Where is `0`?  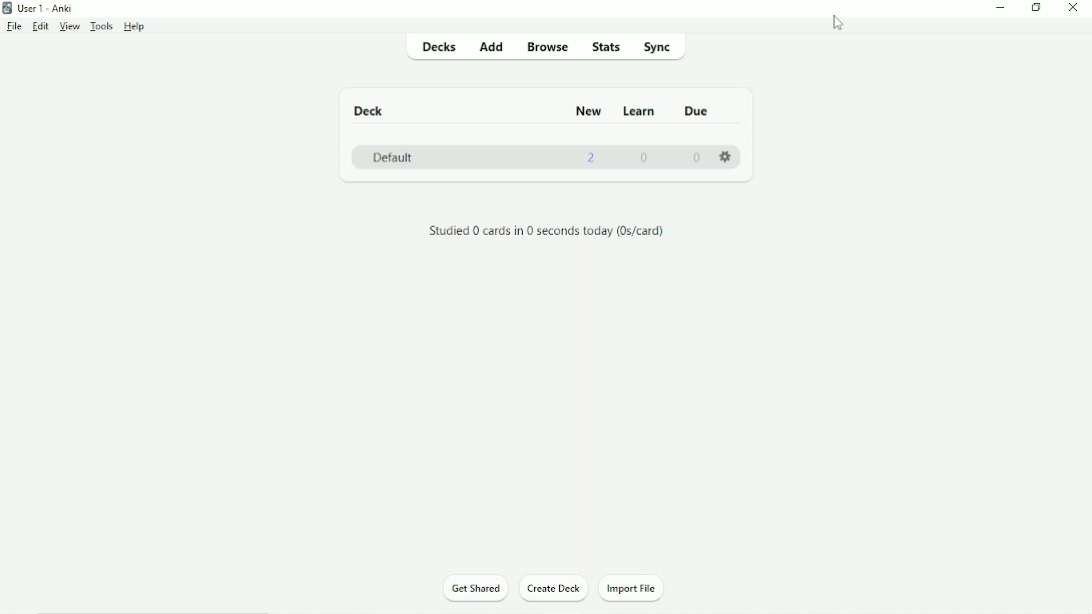 0 is located at coordinates (645, 157).